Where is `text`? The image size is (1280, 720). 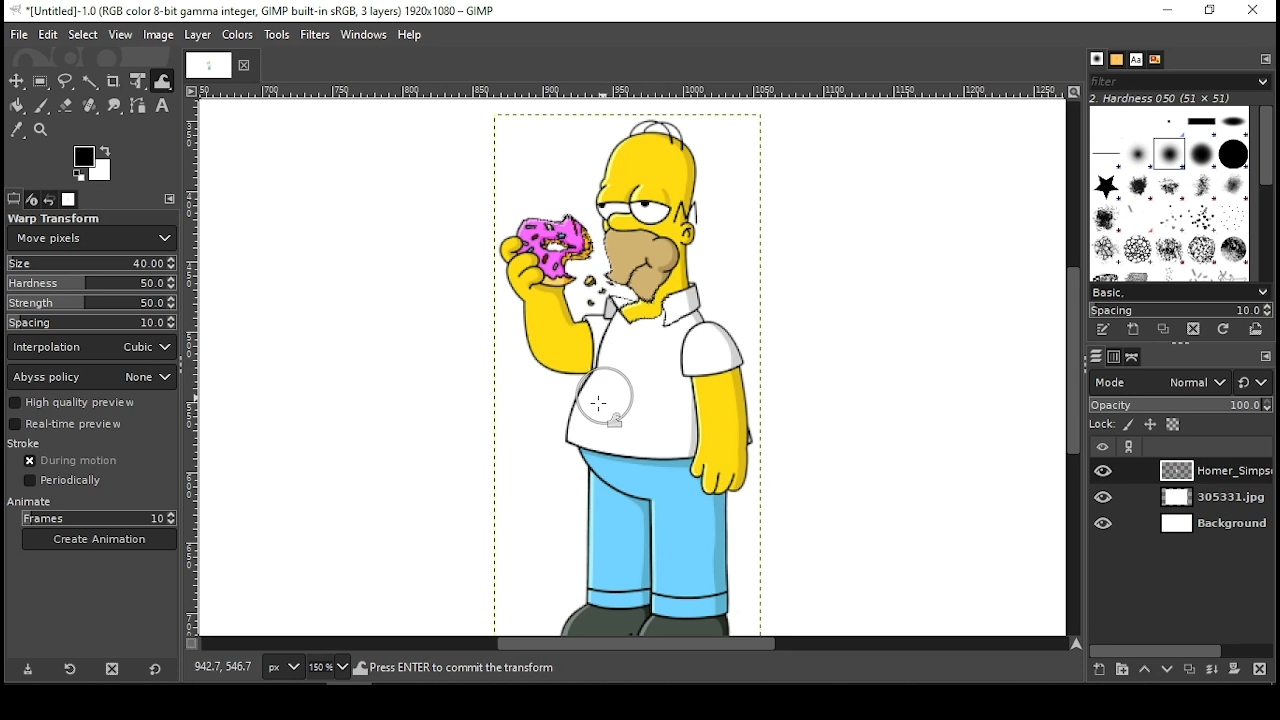
text is located at coordinates (1137, 60).